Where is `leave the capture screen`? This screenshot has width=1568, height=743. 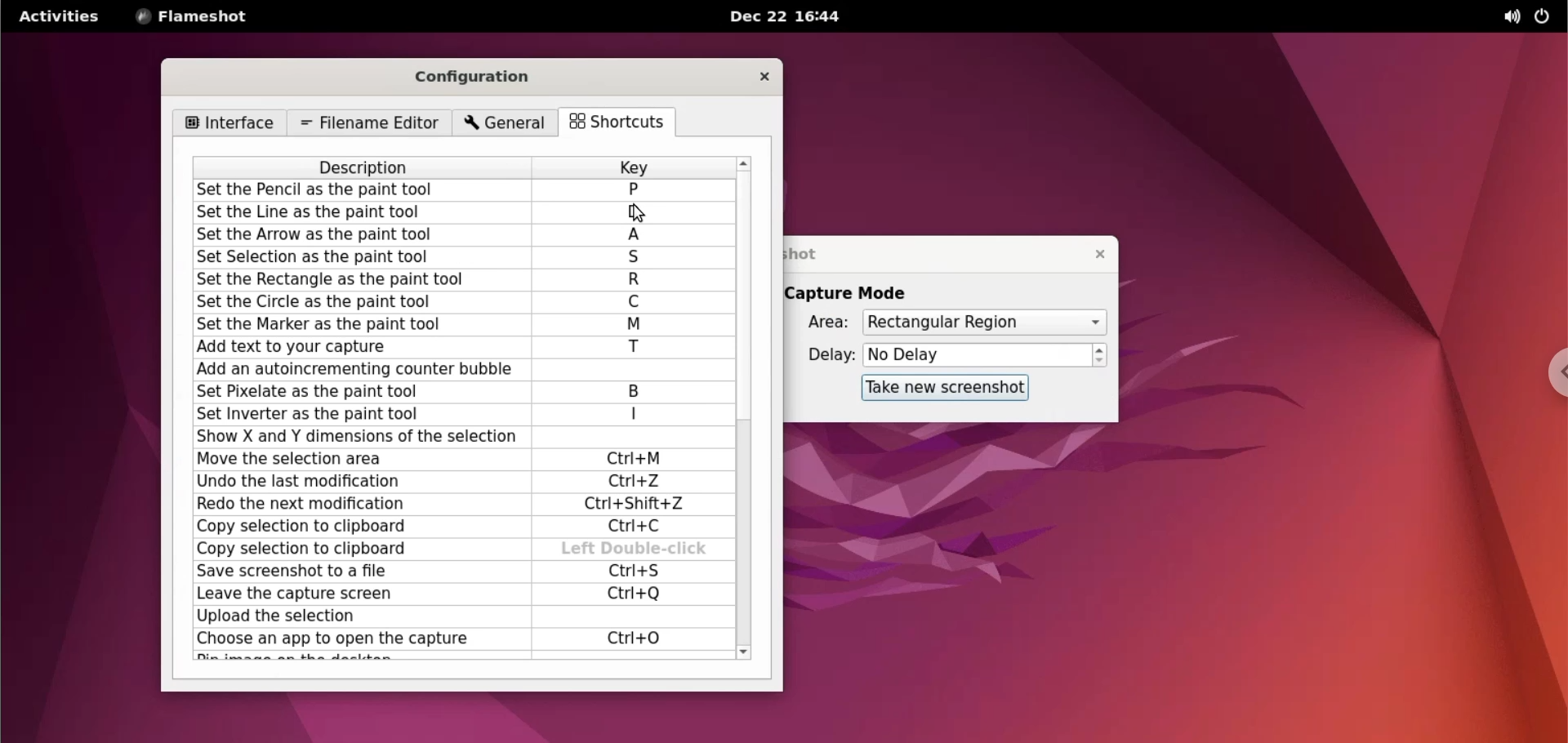 leave the capture screen is located at coordinates (351, 594).